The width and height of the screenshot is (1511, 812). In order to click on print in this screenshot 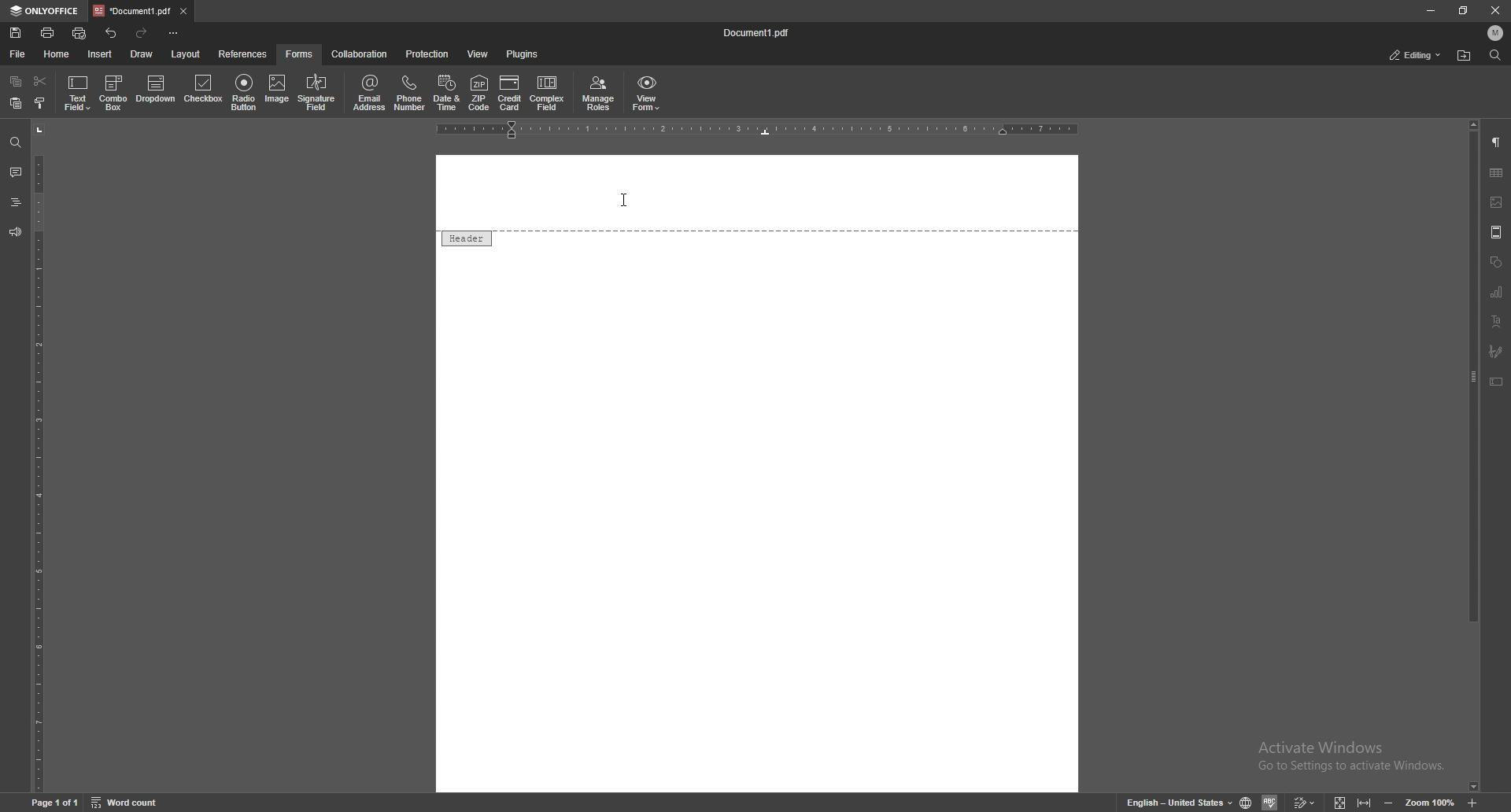, I will do `click(49, 32)`.